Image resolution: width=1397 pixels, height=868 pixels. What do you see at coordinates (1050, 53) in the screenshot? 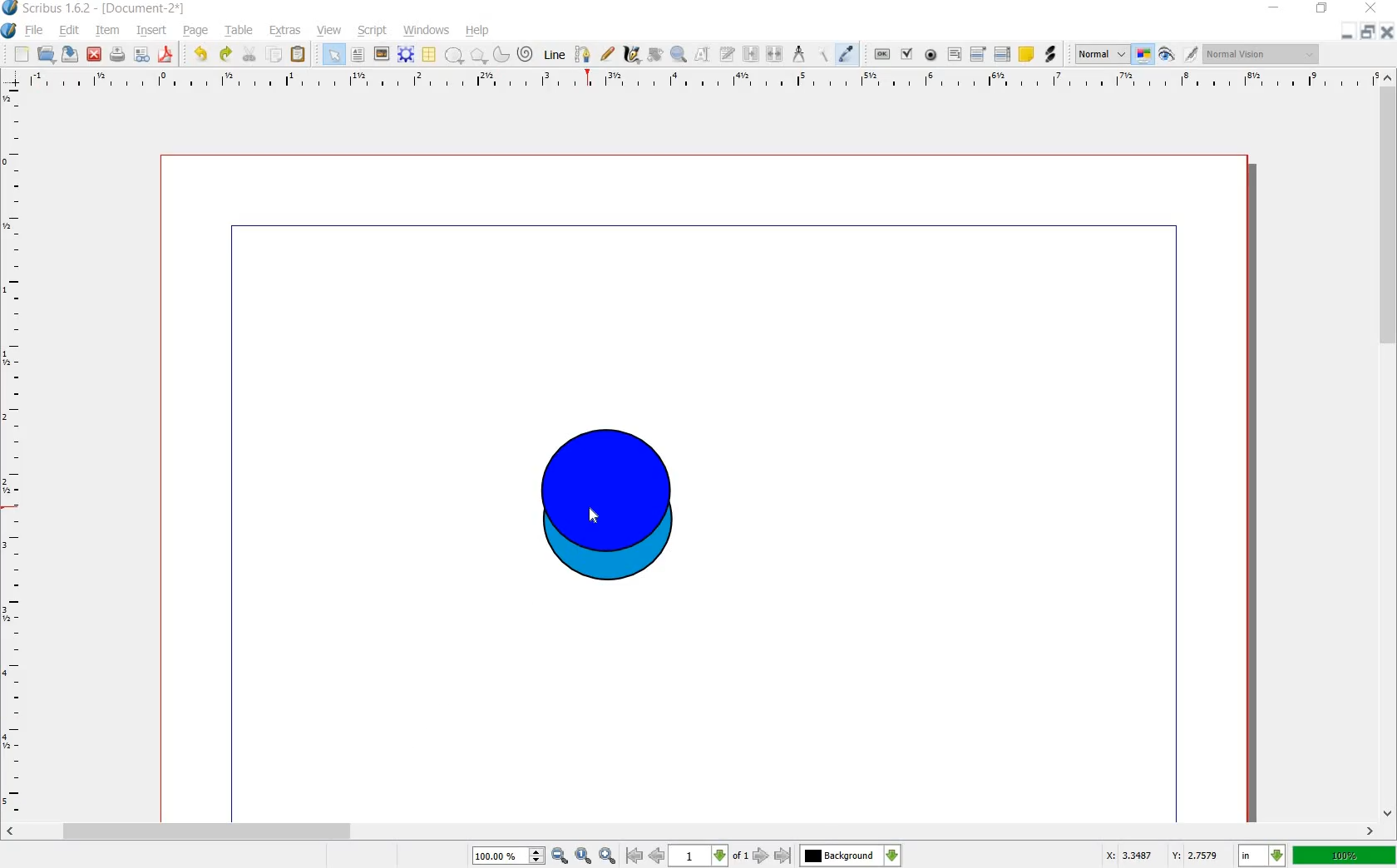
I see `link annotation` at bounding box center [1050, 53].